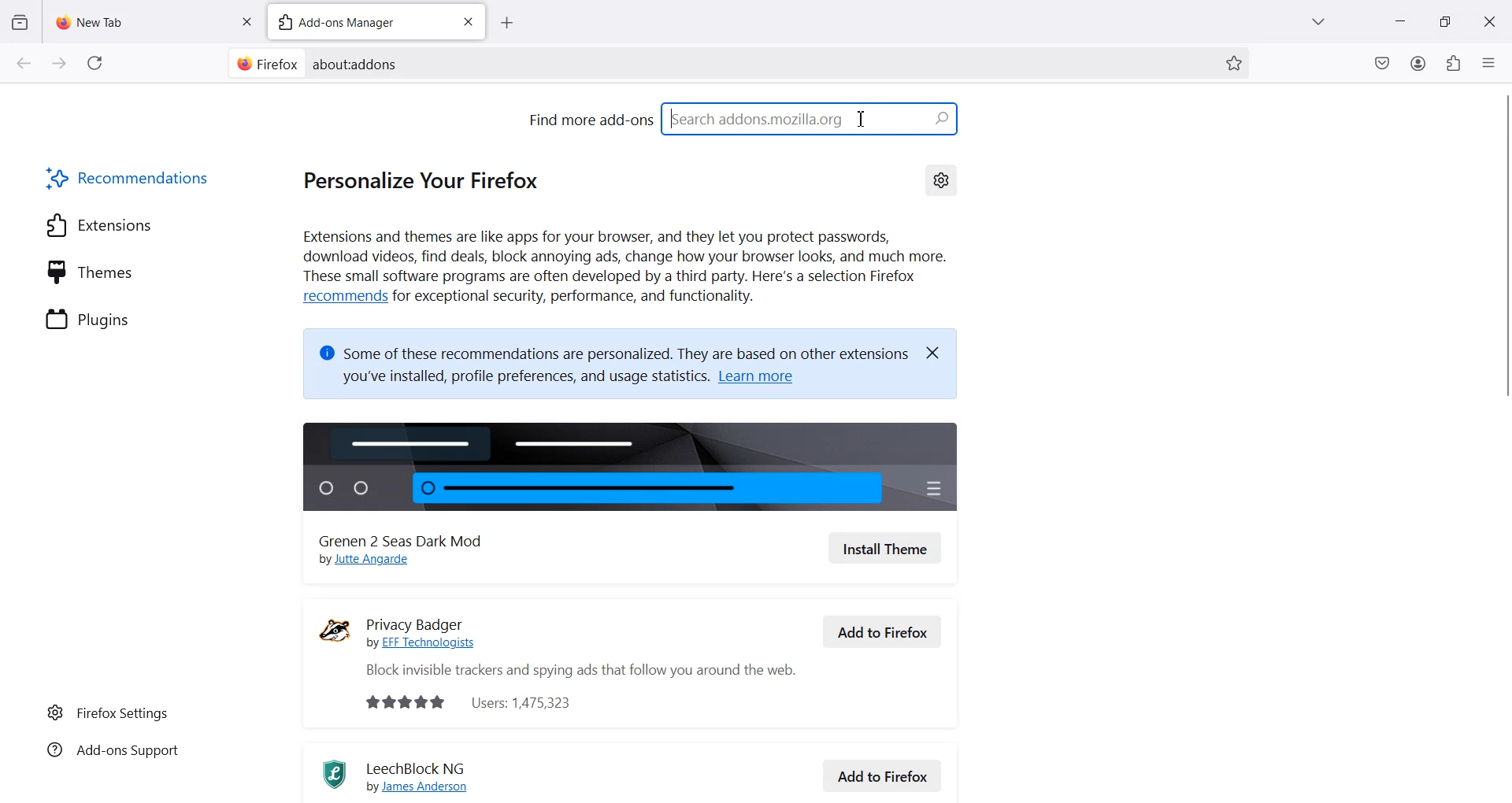 The width and height of the screenshot is (1512, 803). I want to click on Logo, so click(335, 630).